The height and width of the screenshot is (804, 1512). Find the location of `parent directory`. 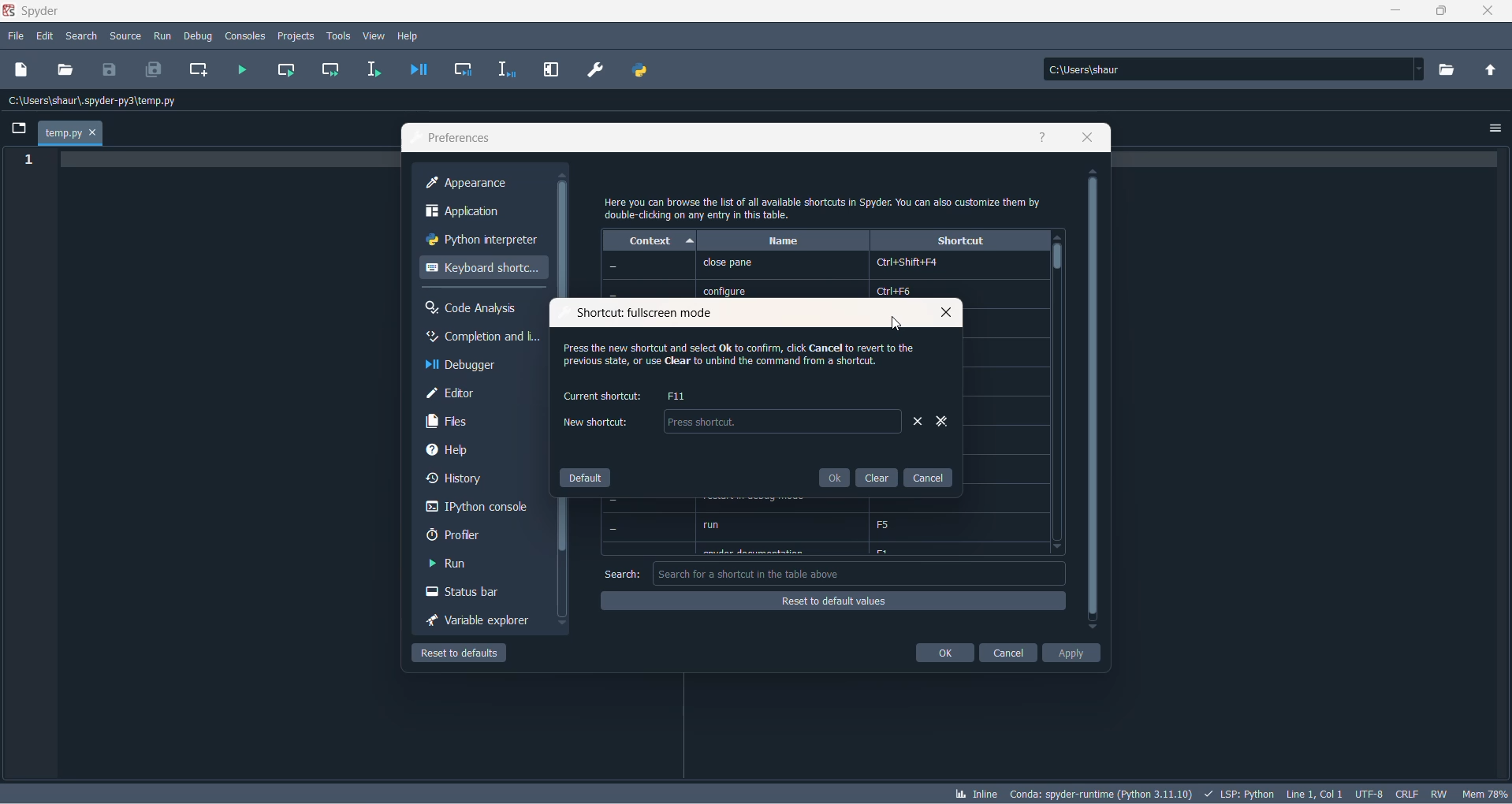

parent directory is located at coordinates (1495, 72).